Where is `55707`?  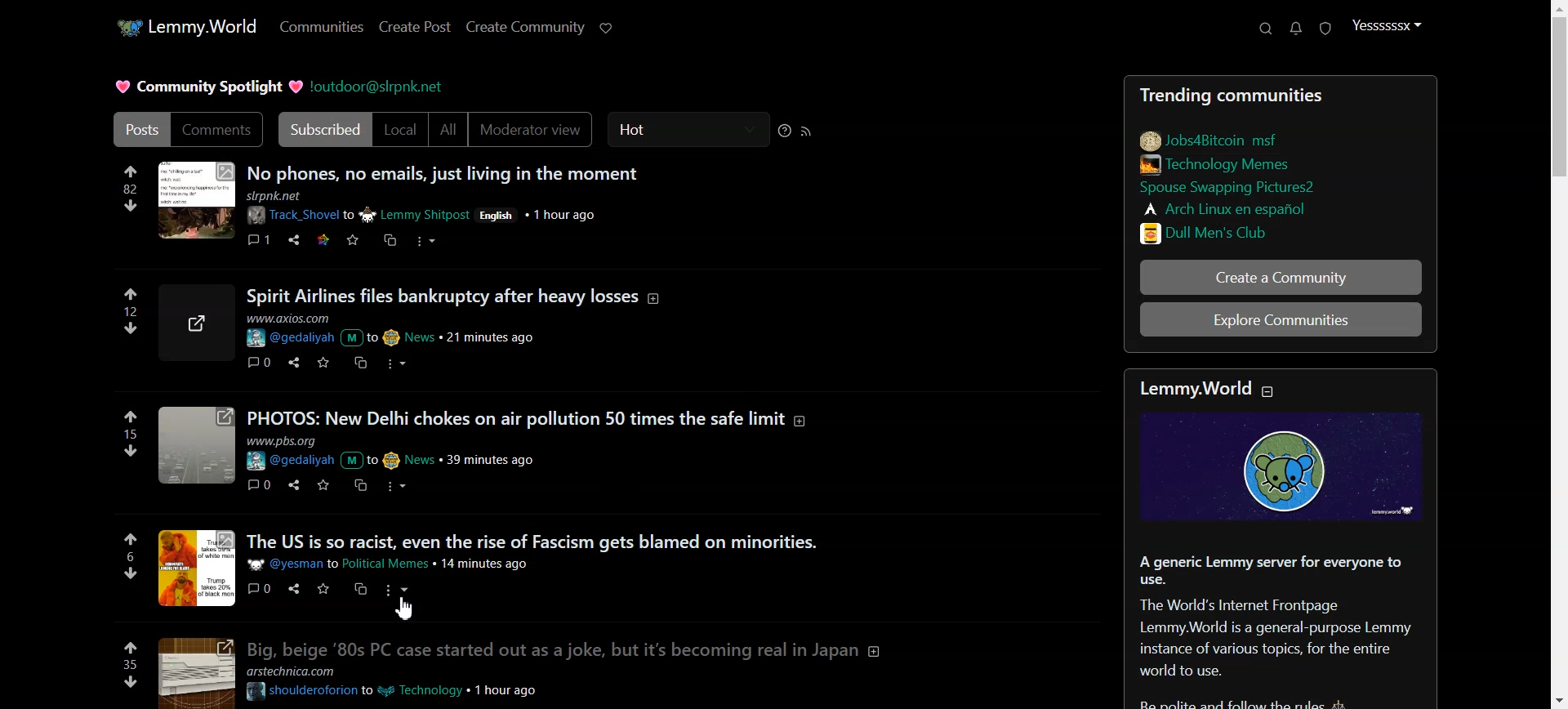 55707 is located at coordinates (132, 326).